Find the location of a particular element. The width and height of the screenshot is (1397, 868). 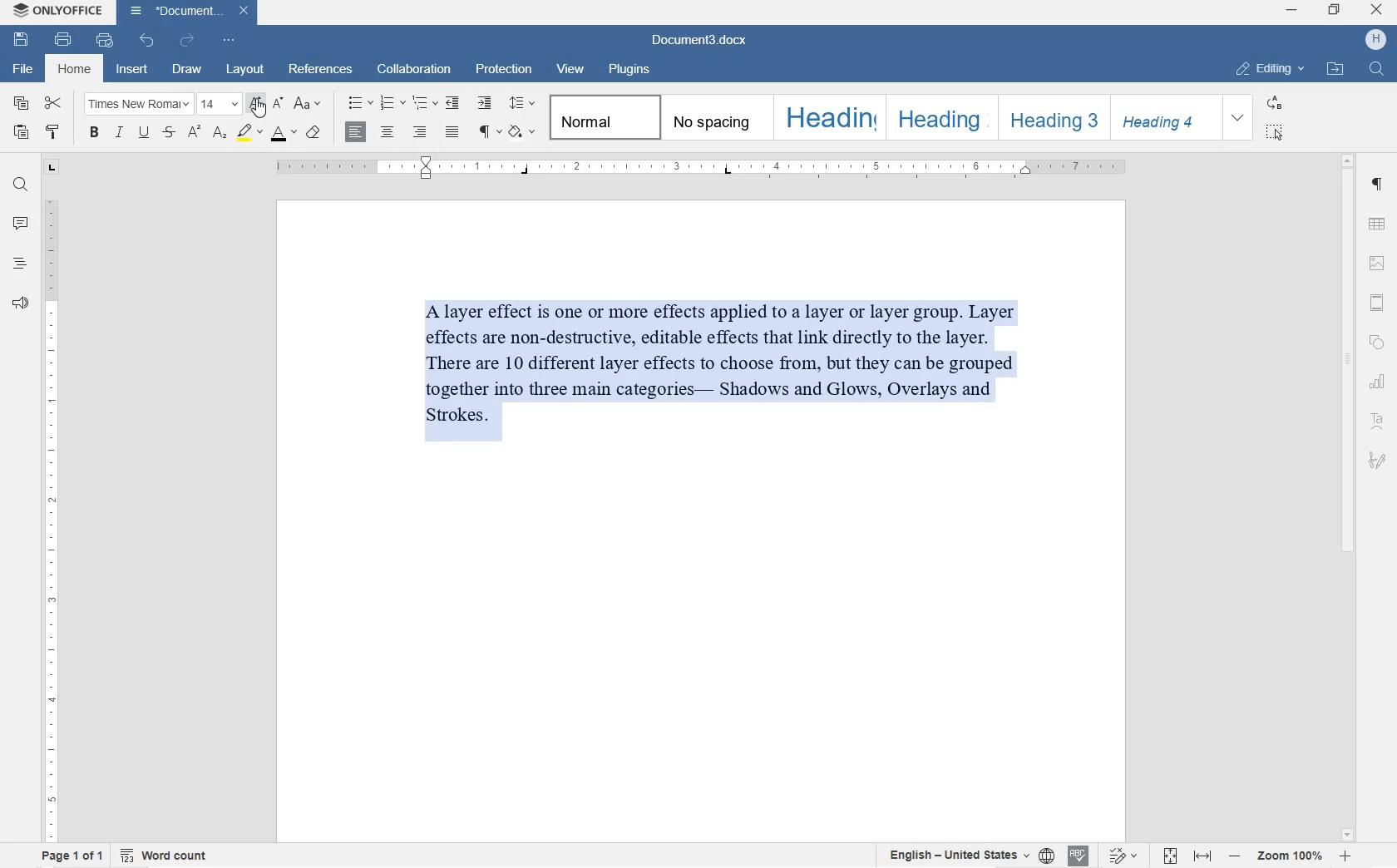

HP is located at coordinates (1375, 42).